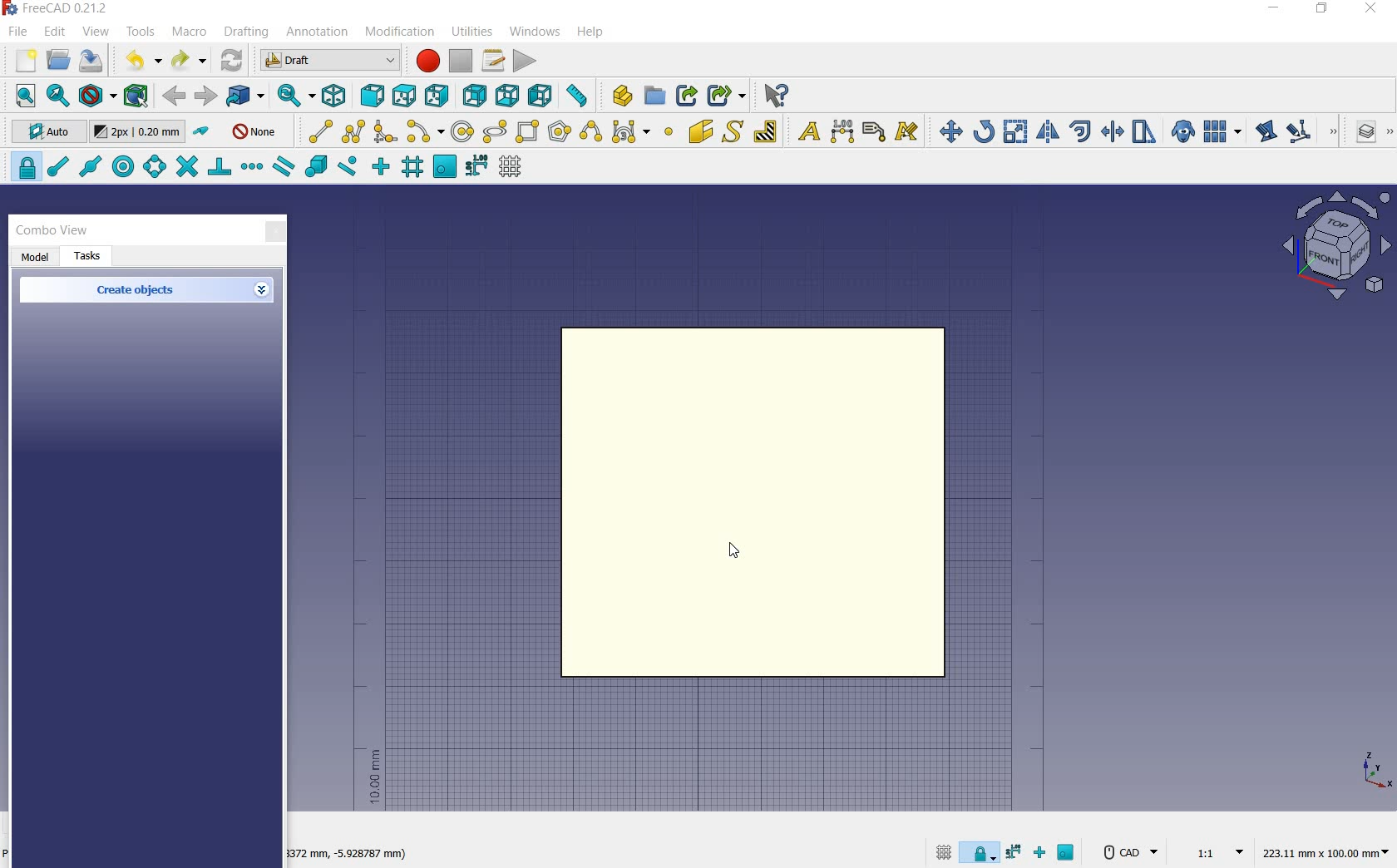  What do you see at coordinates (152, 168) in the screenshot?
I see `snap angle` at bounding box center [152, 168].